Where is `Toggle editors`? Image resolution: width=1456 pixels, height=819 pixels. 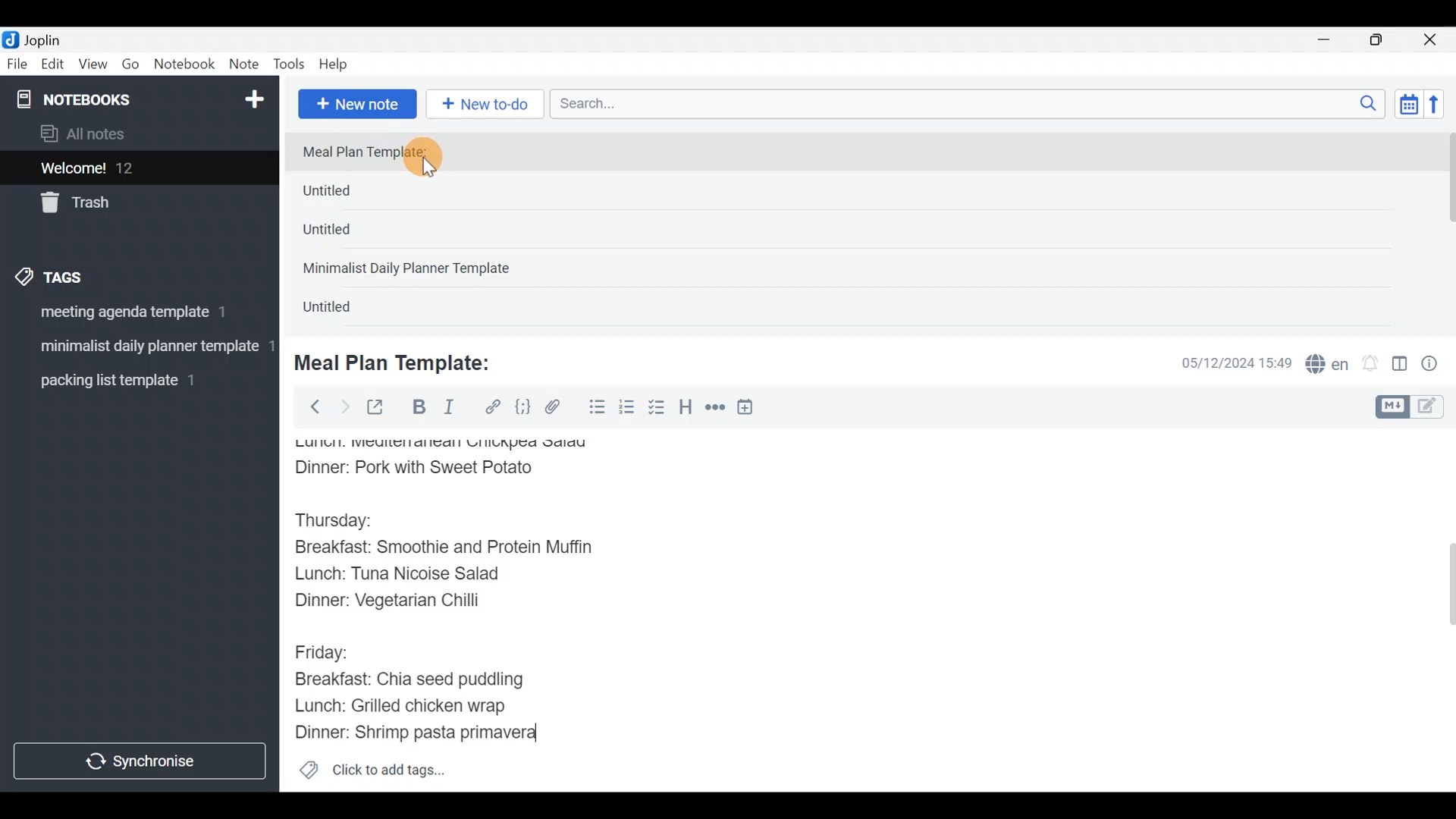
Toggle editors is located at coordinates (1414, 405).